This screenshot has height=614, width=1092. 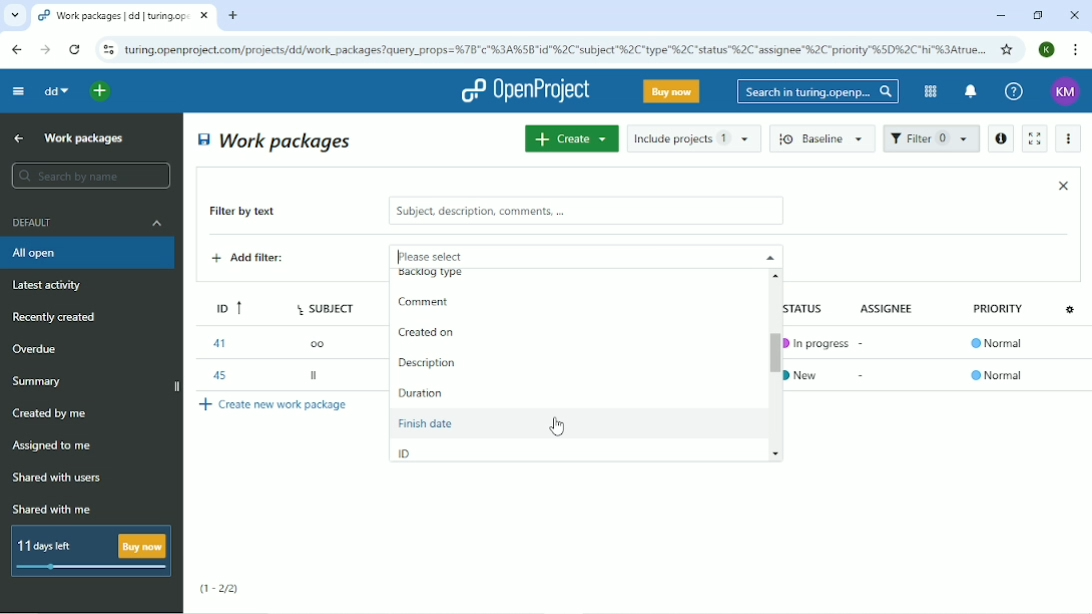 What do you see at coordinates (37, 350) in the screenshot?
I see `Overdue` at bounding box center [37, 350].